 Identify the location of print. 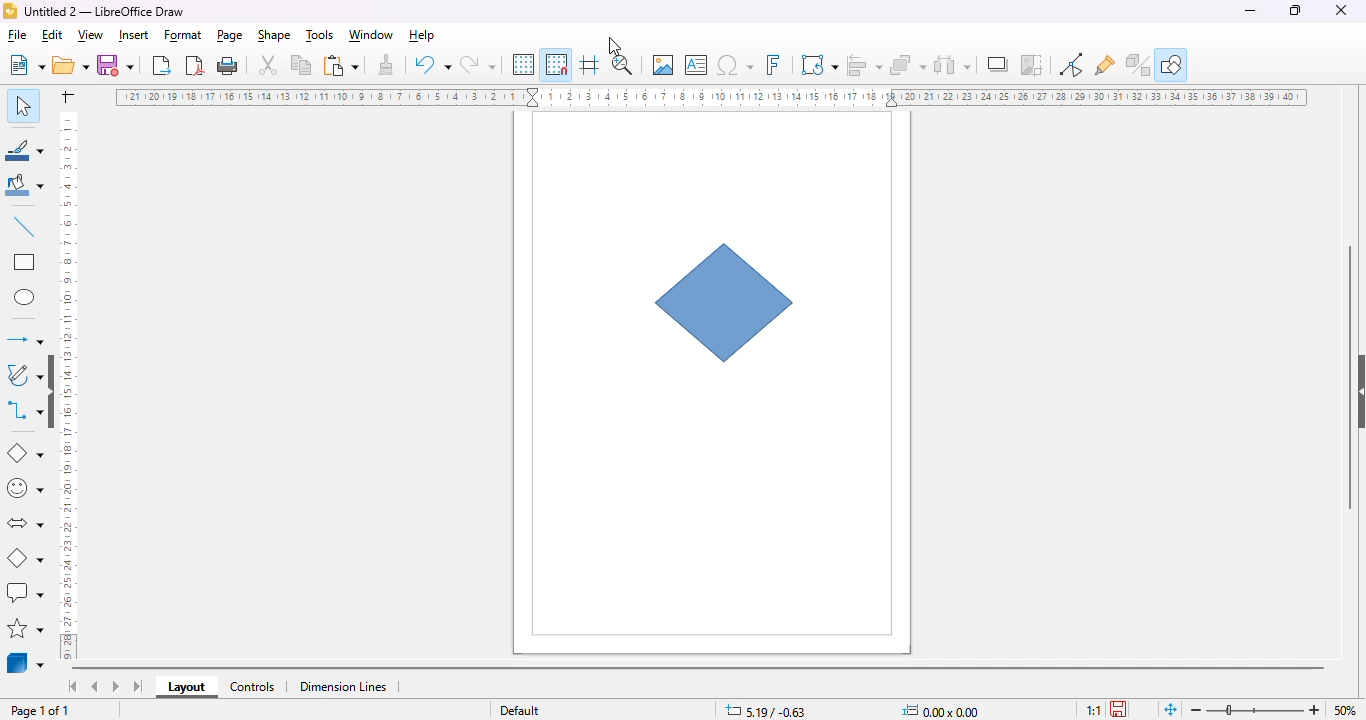
(228, 66).